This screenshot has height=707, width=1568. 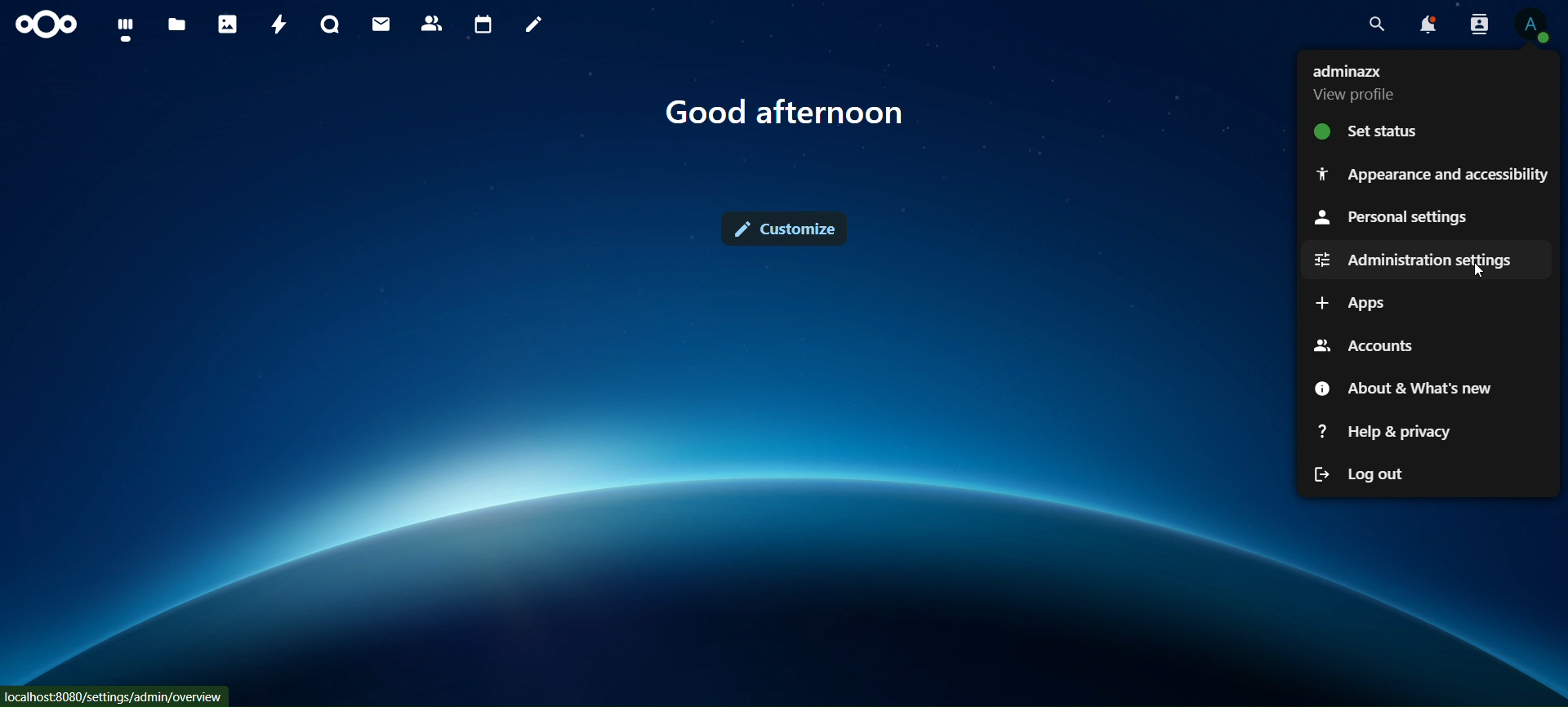 What do you see at coordinates (332, 25) in the screenshot?
I see `talk` at bounding box center [332, 25].